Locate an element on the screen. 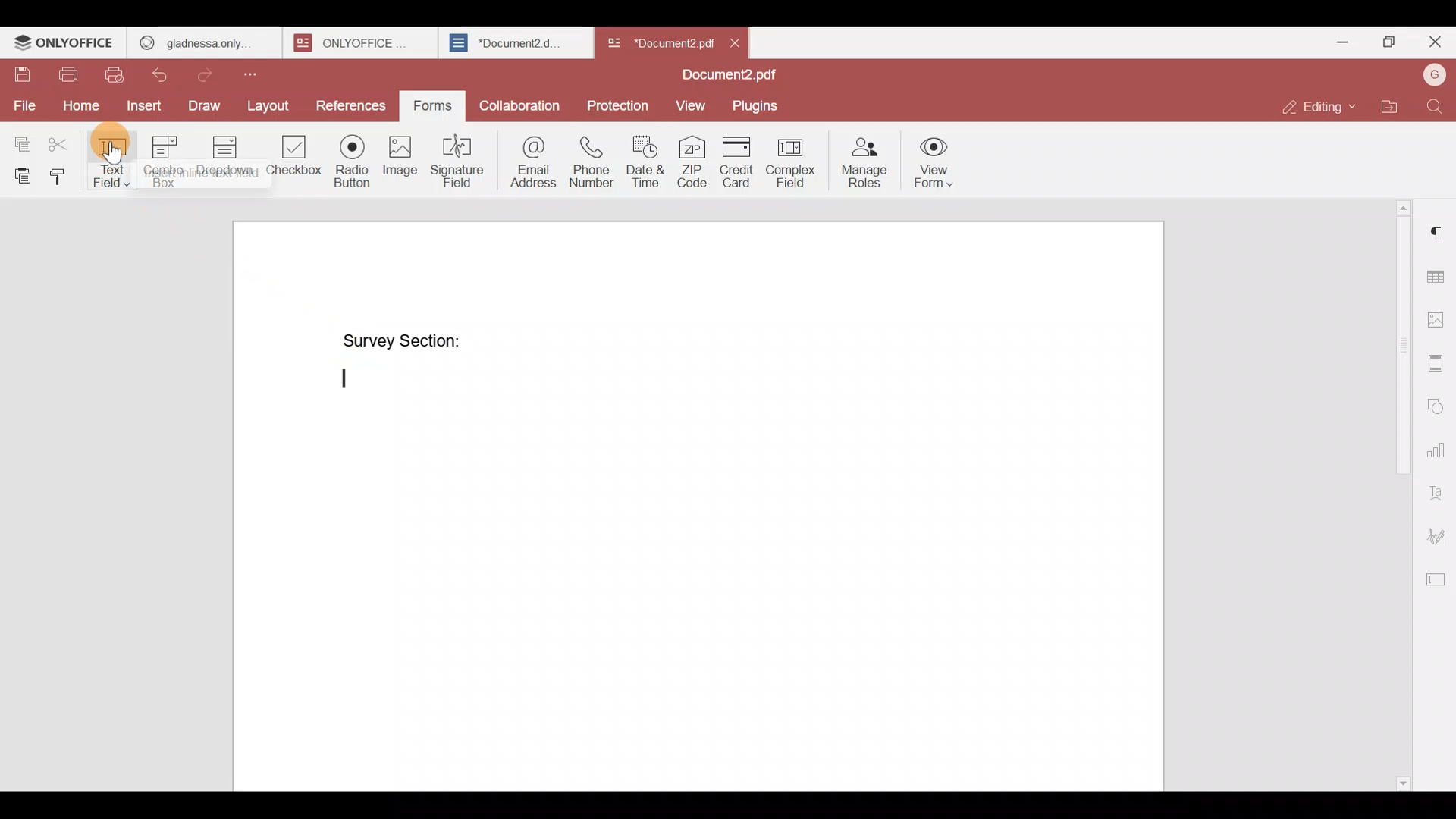 The image size is (1456, 819). Radio is located at coordinates (351, 158).